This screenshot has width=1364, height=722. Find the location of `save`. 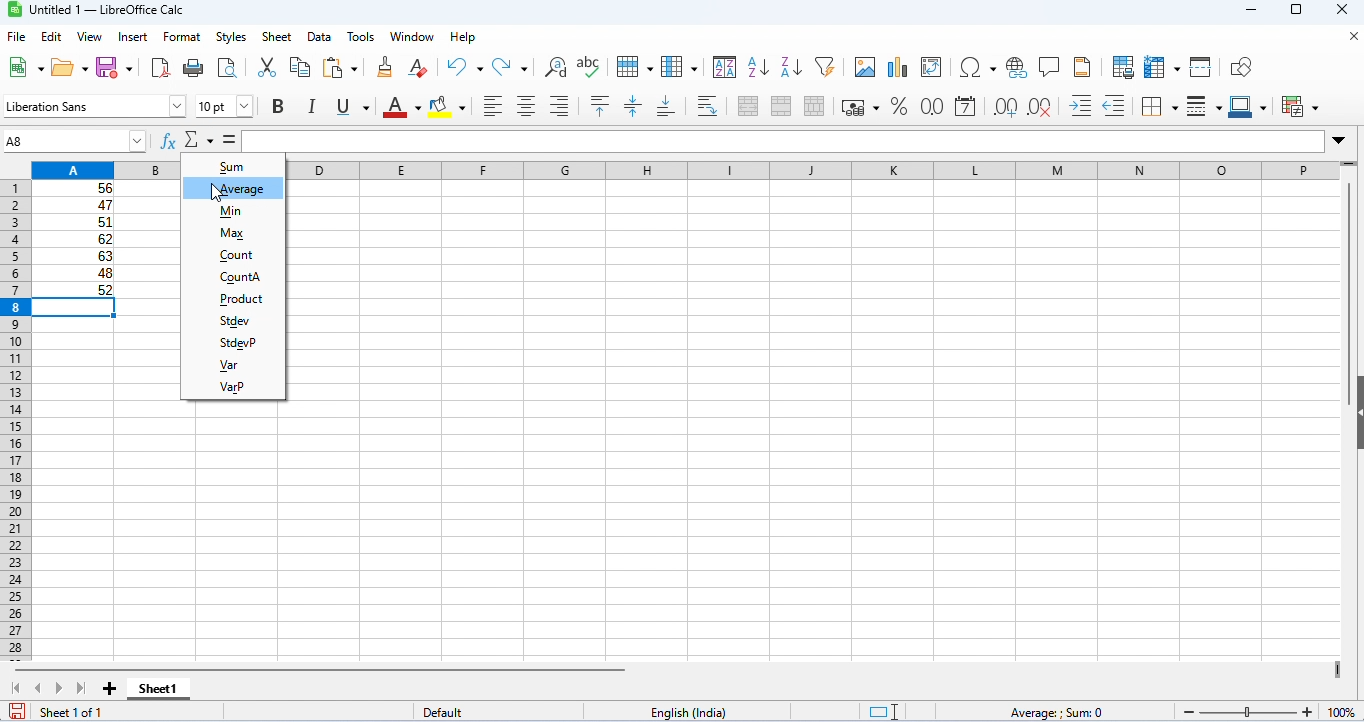

save is located at coordinates (116, 66).